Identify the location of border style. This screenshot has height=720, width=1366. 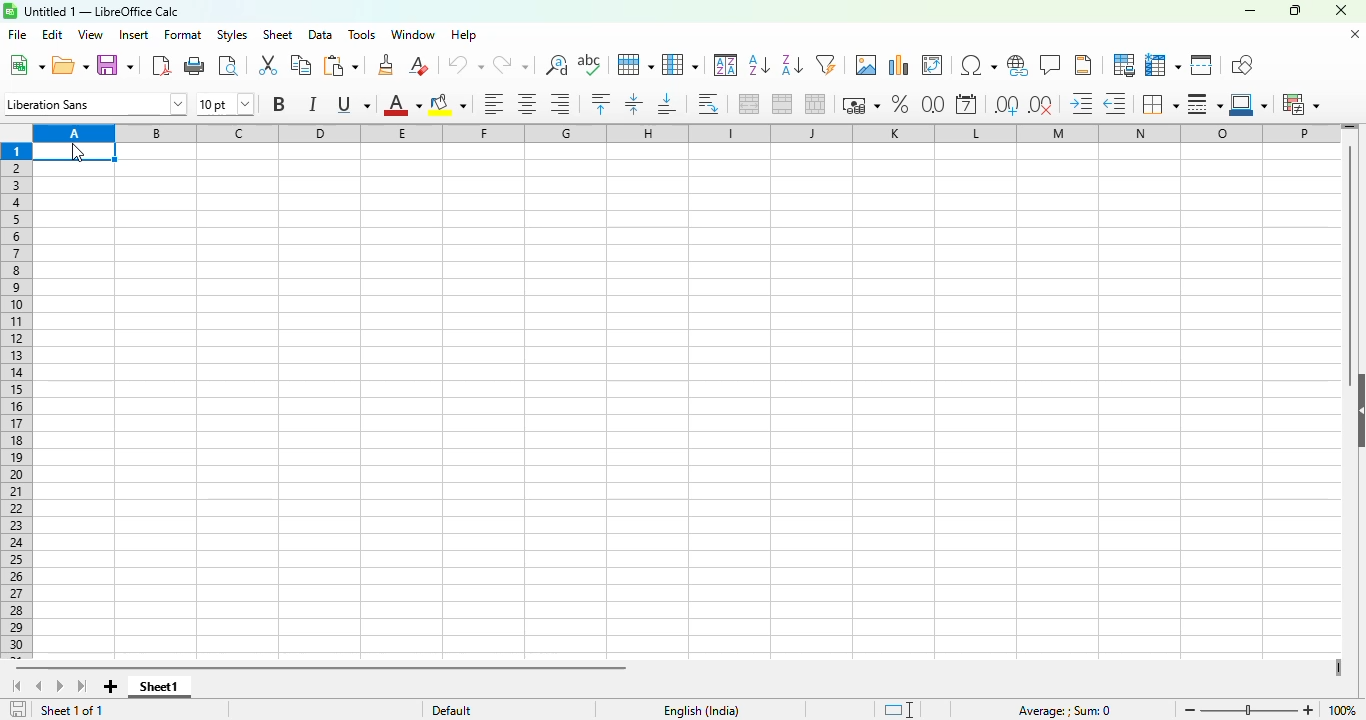
(1205, 105).